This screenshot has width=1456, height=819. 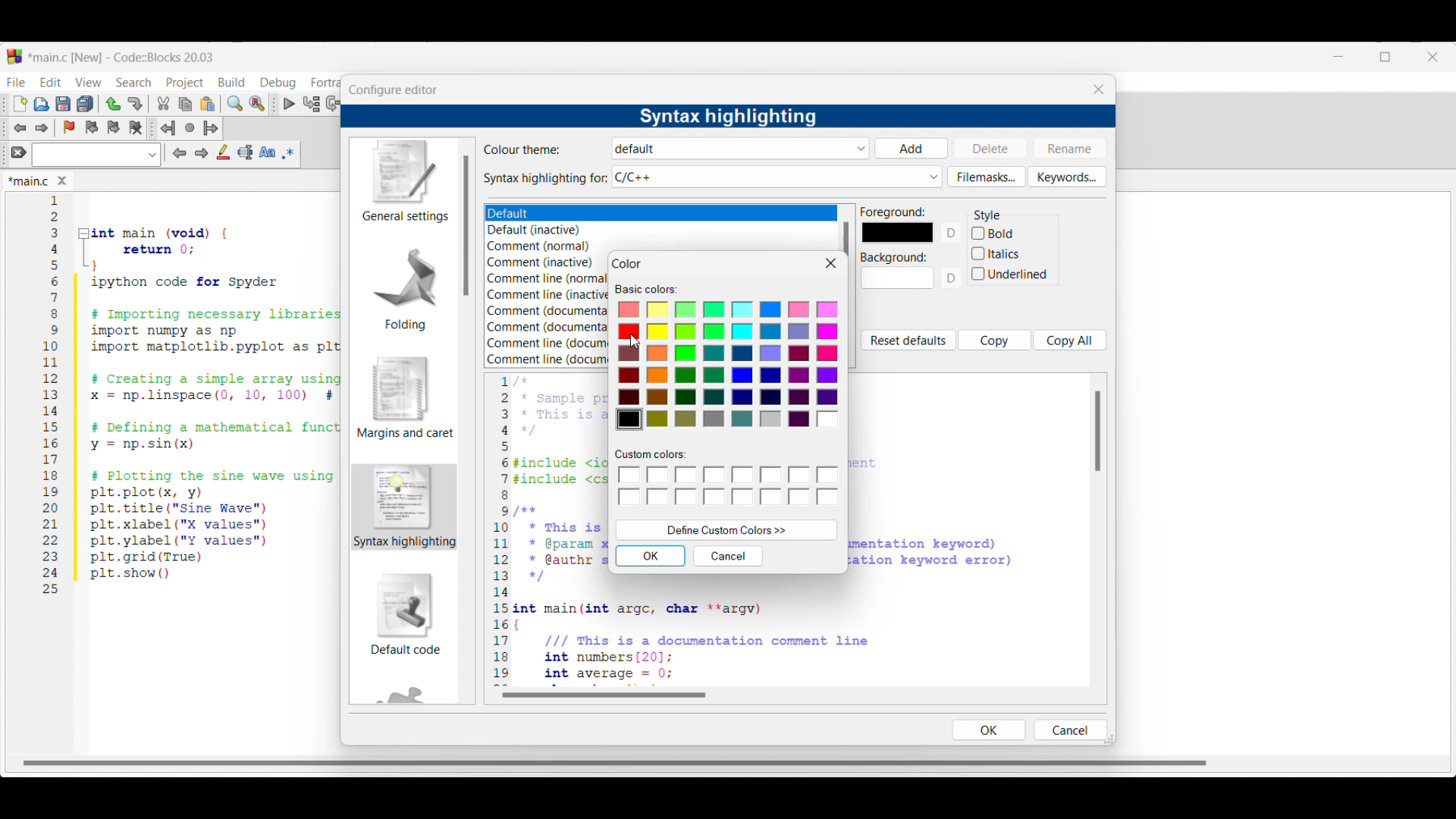 What do you see at coordinates (69, 127) in the screenshot?
I see `Toggle bookmarks` at bounding box center [69, 127].